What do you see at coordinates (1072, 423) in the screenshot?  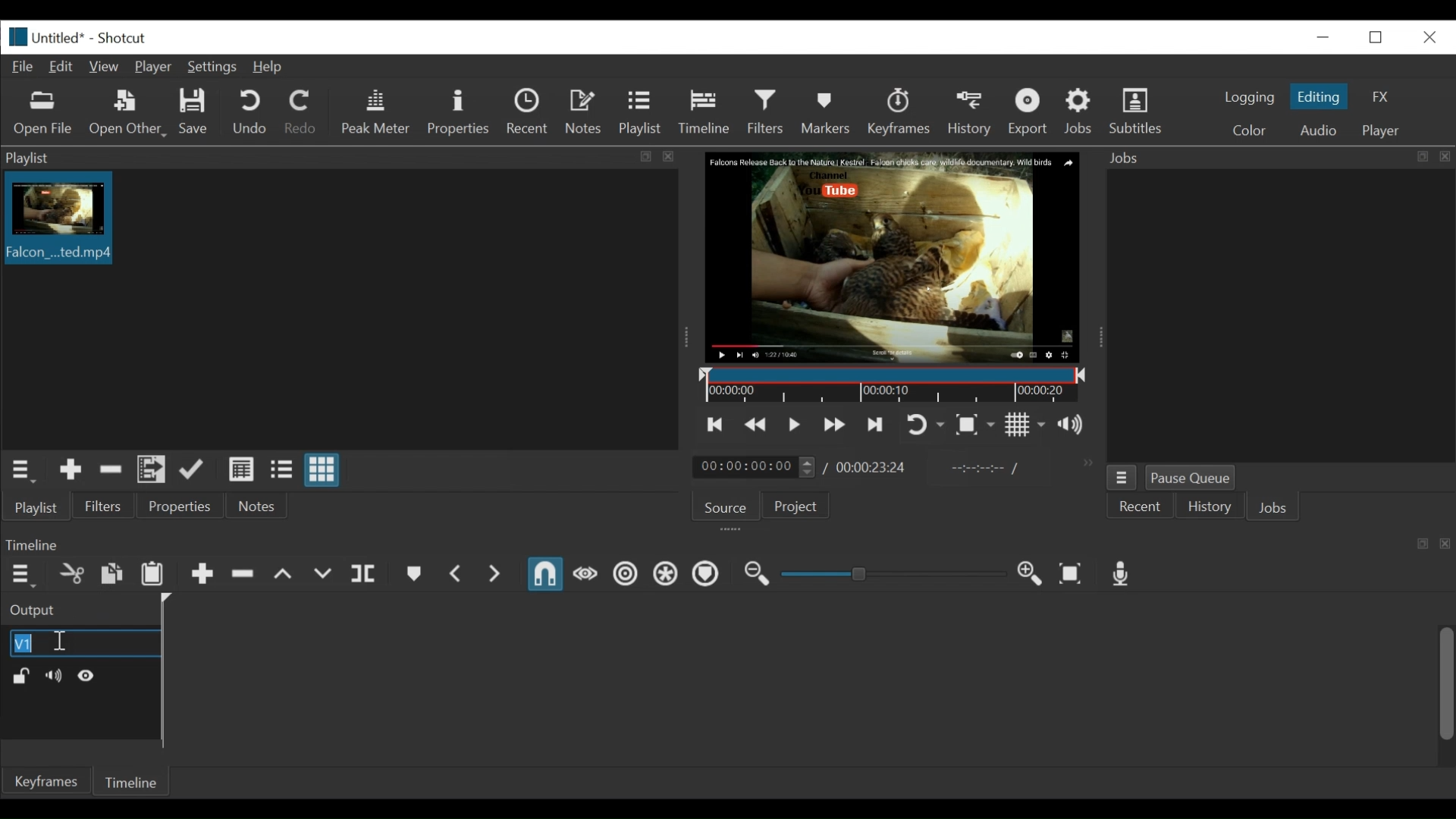 I see `Show the volume control` at bounding box center [1072, 423].